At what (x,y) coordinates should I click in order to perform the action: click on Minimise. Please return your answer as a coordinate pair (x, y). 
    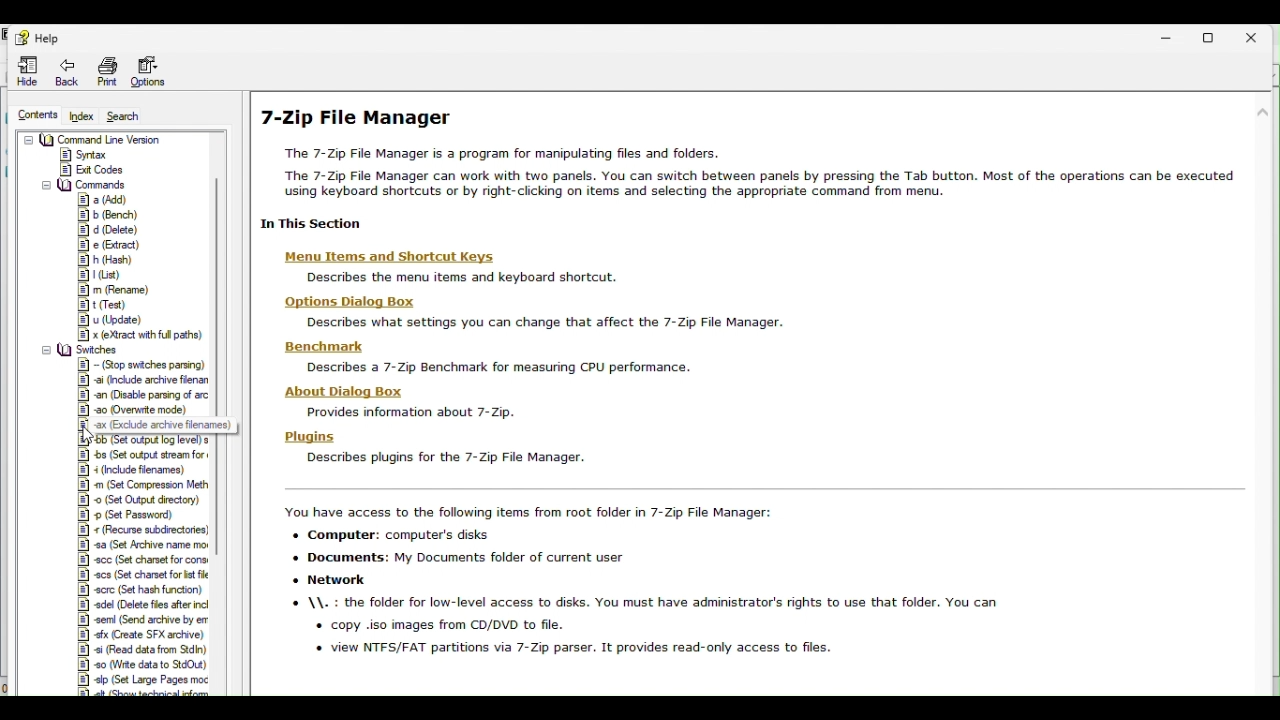
    Looking at the image, I should click on (1165, 32).